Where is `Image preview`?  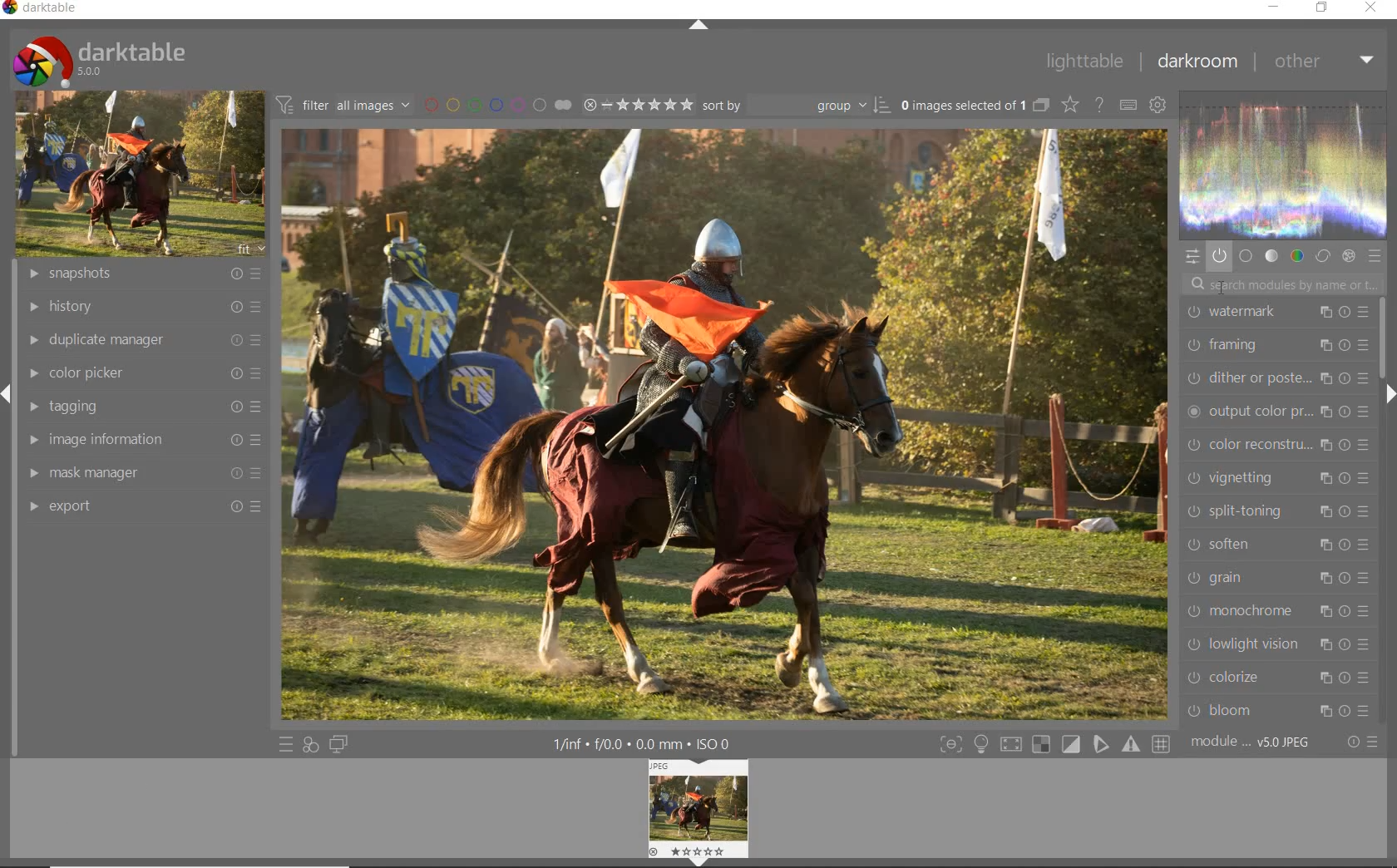
Image preview is located at coordinates (701, 810).